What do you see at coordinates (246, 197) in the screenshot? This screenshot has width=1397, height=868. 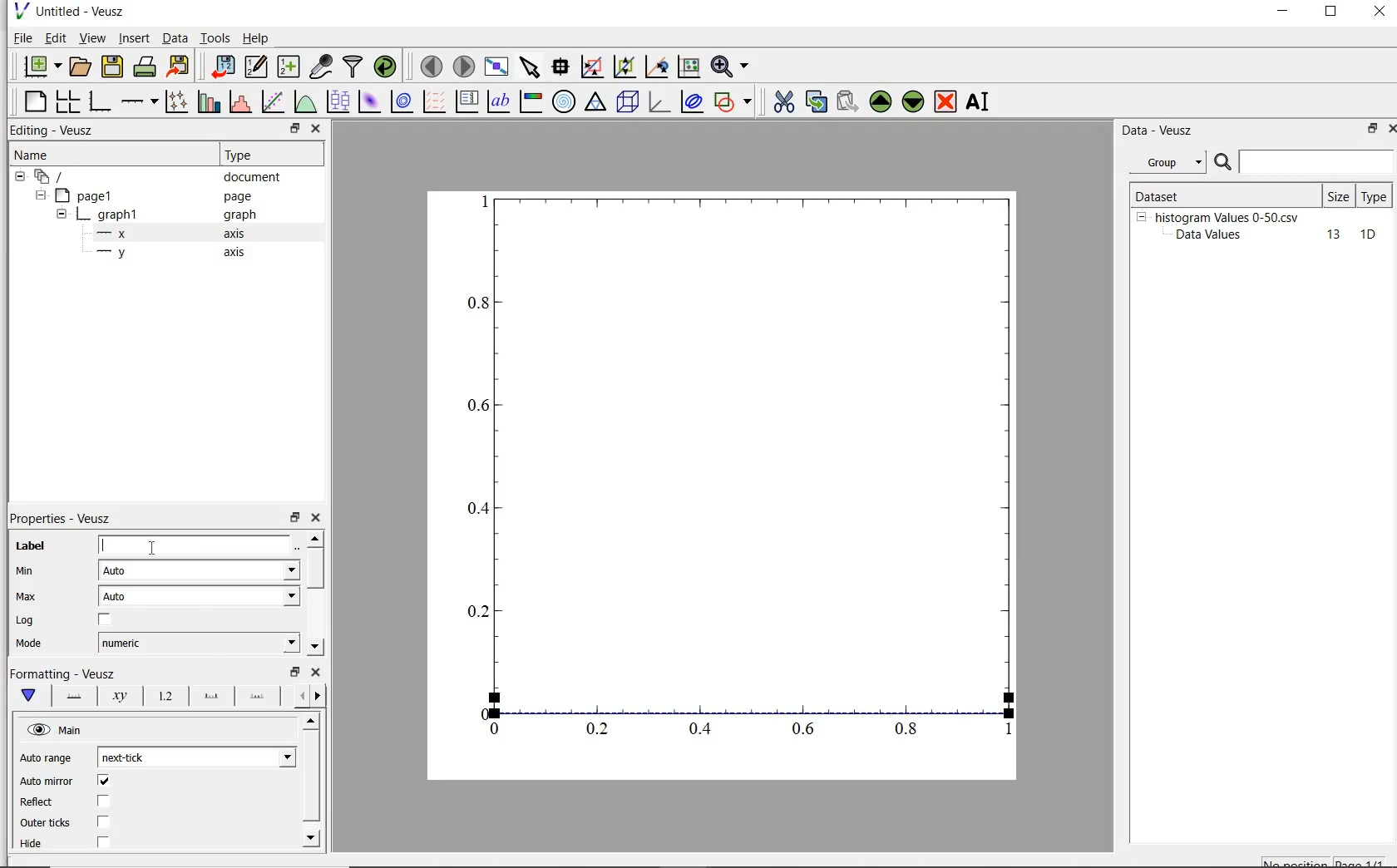 I see `page` at bounding box center [246, 197].